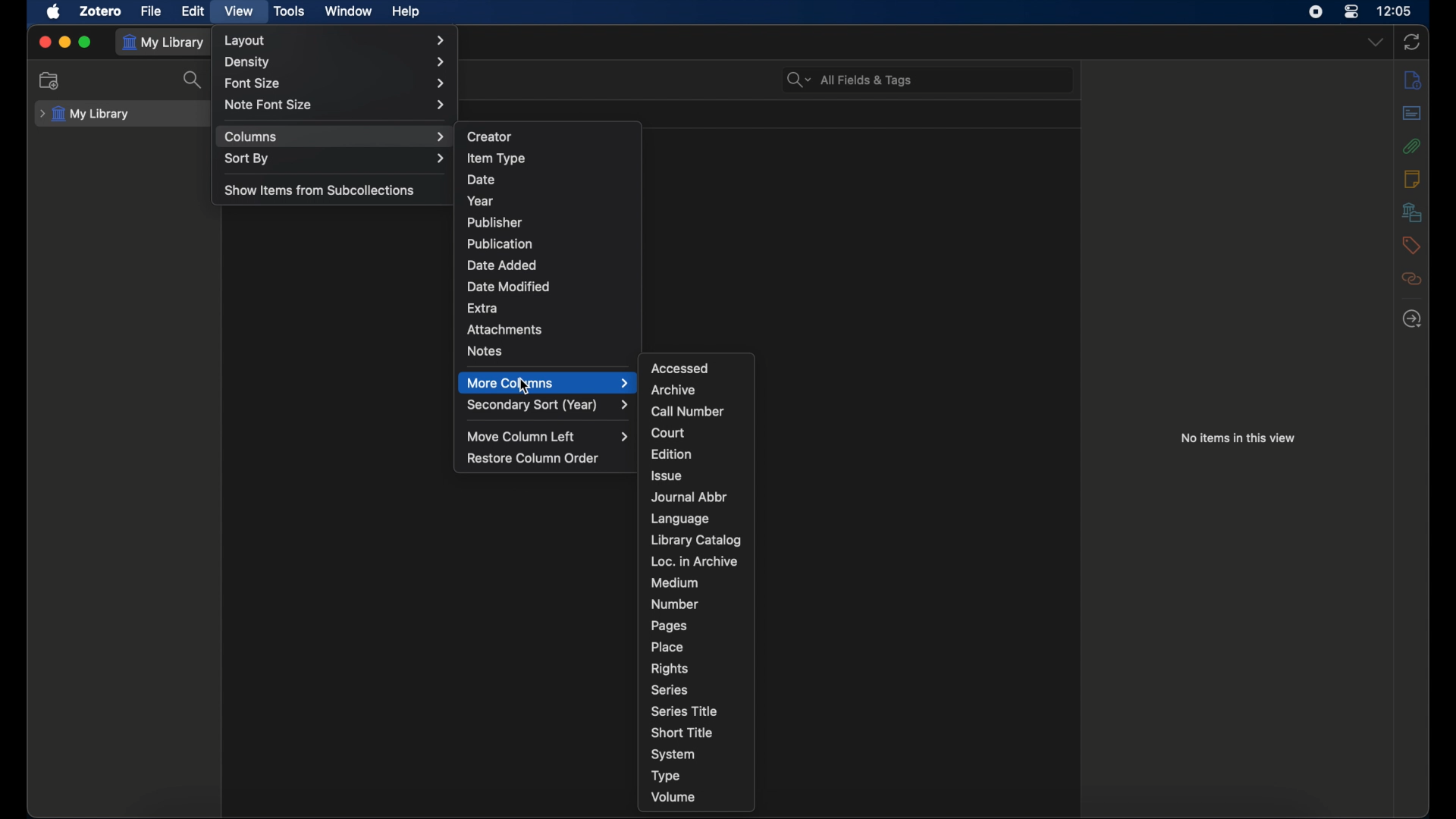 The width and height of the screenshot is (1456, 819). What do you see at coordinates (334, 40) in the screenshot?
I see `layout` at bounding box center [334, 40].